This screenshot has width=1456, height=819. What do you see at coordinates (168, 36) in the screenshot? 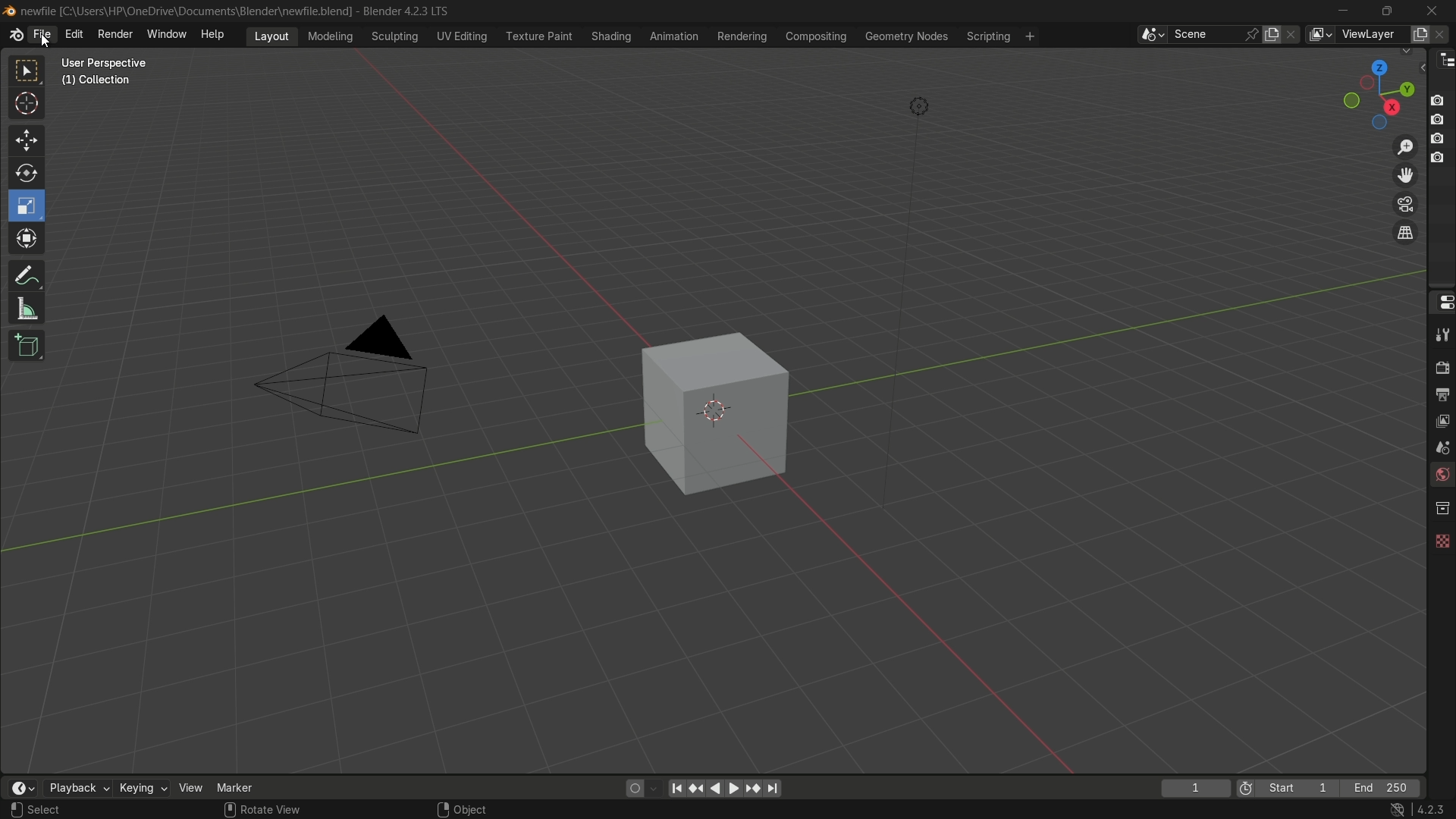
I see `window menu` at bounding box center [168, 36].